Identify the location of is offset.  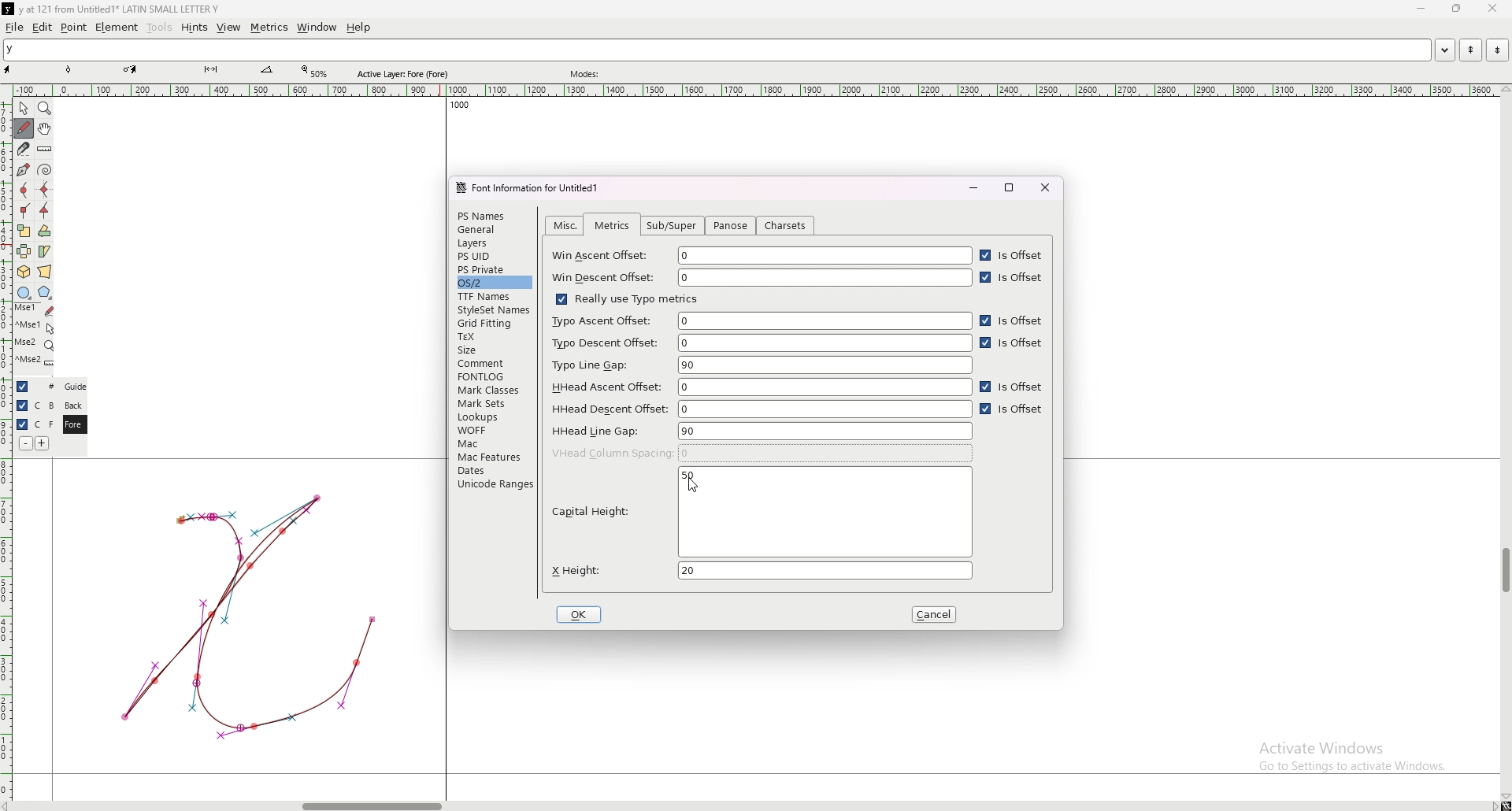
(1013, 320).